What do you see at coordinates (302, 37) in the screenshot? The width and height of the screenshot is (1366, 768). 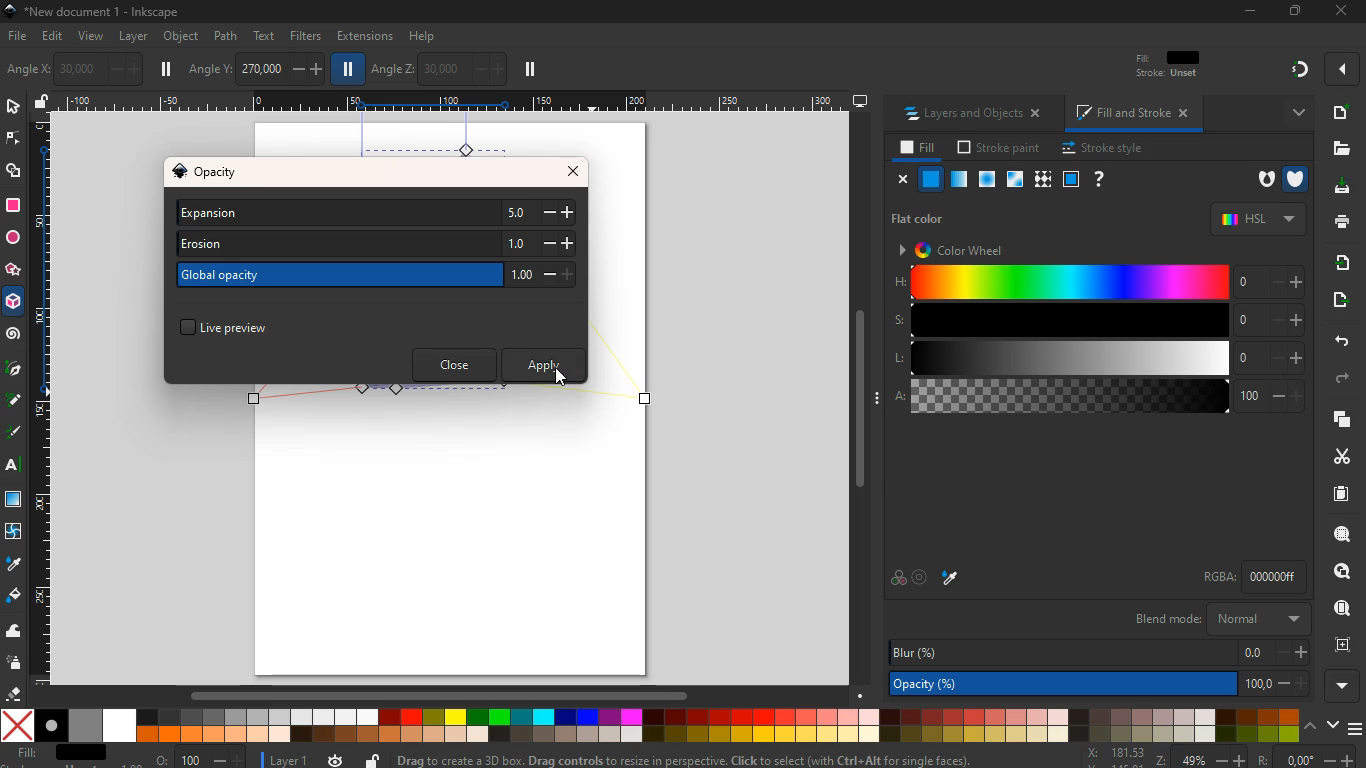 I see `filters` at bounding box center [302, 37].